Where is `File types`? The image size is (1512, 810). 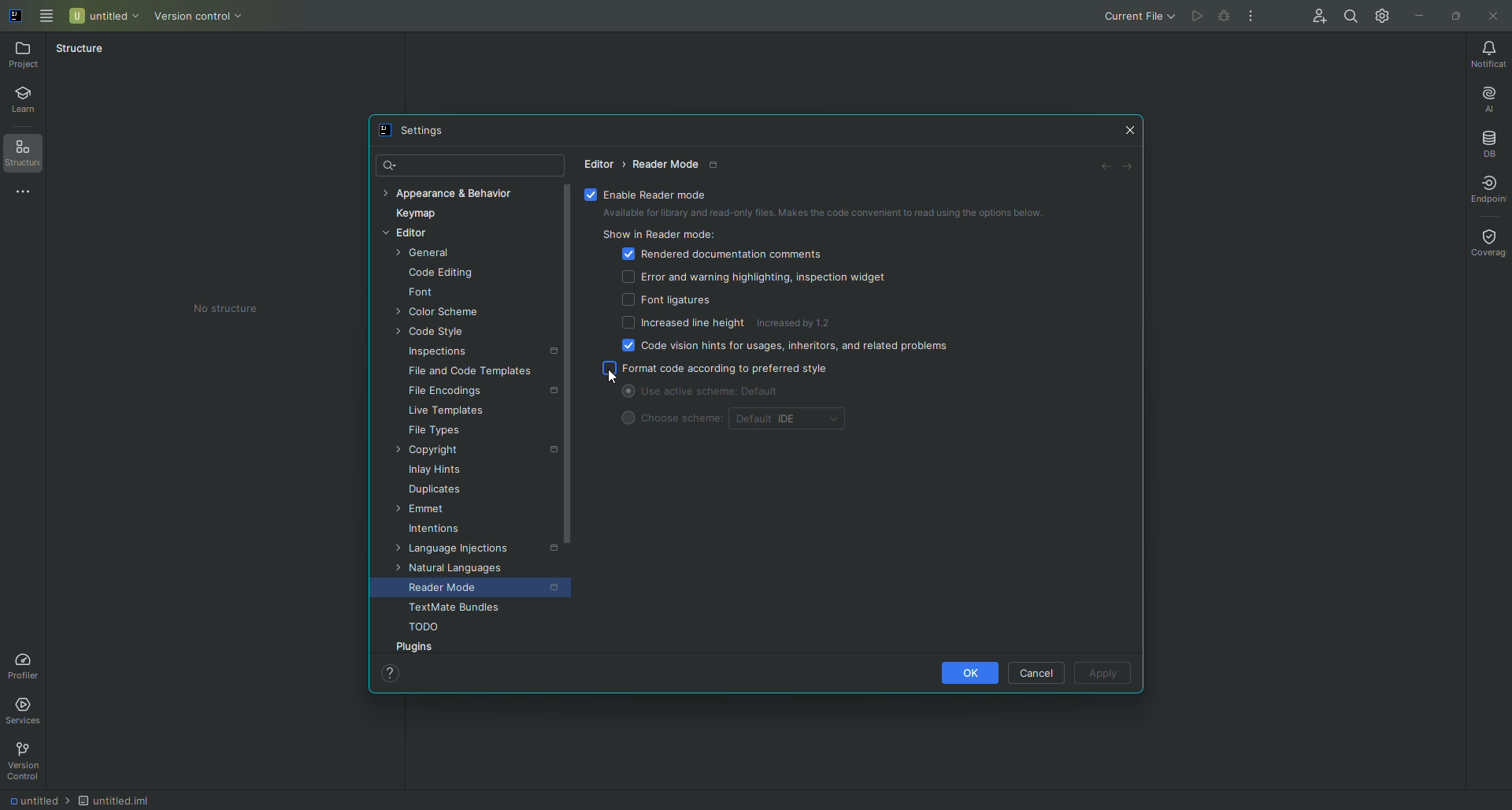 File types is located at coordinates (429, 433).